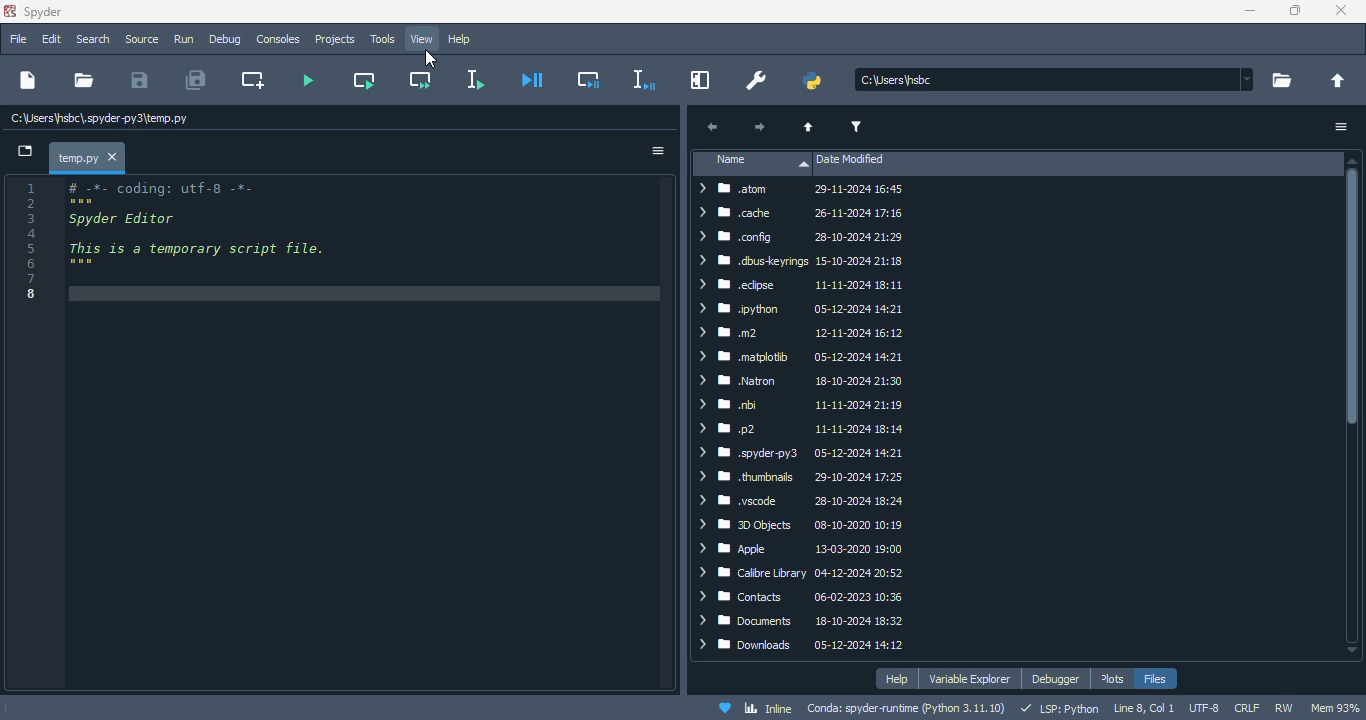 The width and height of the screenshot is (1366, 720). I want to click on open file, so click(83, 79).